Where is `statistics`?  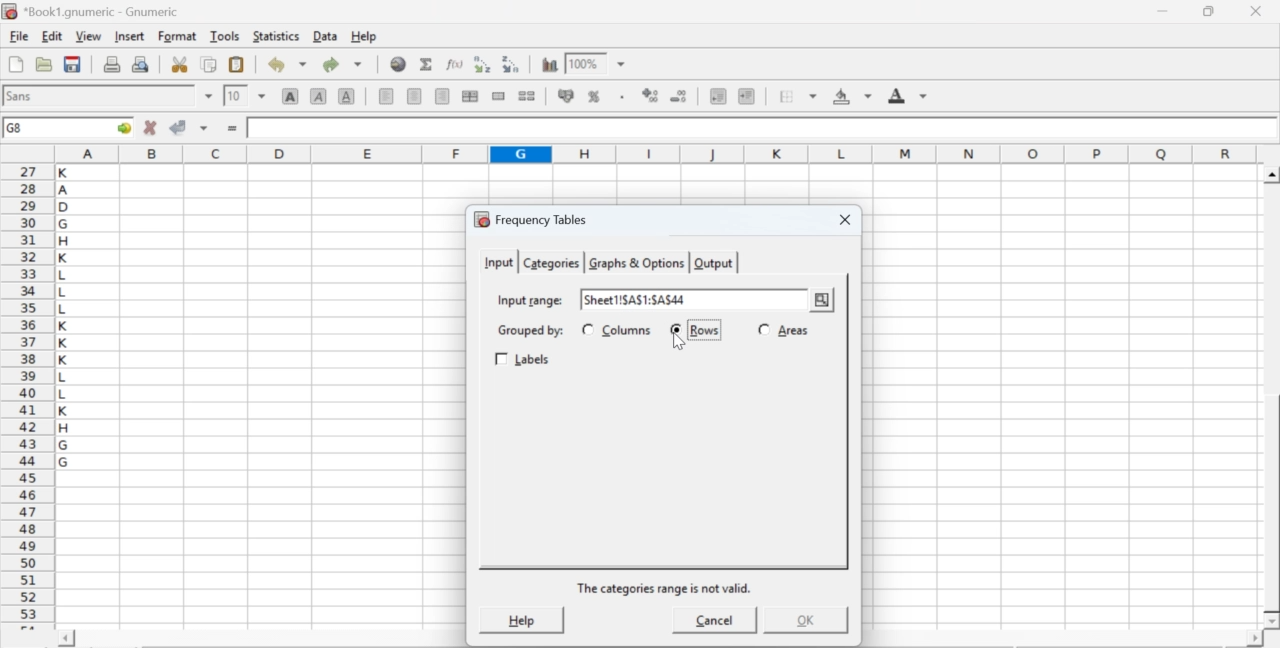
statistics is located at coordinates (274, 36).